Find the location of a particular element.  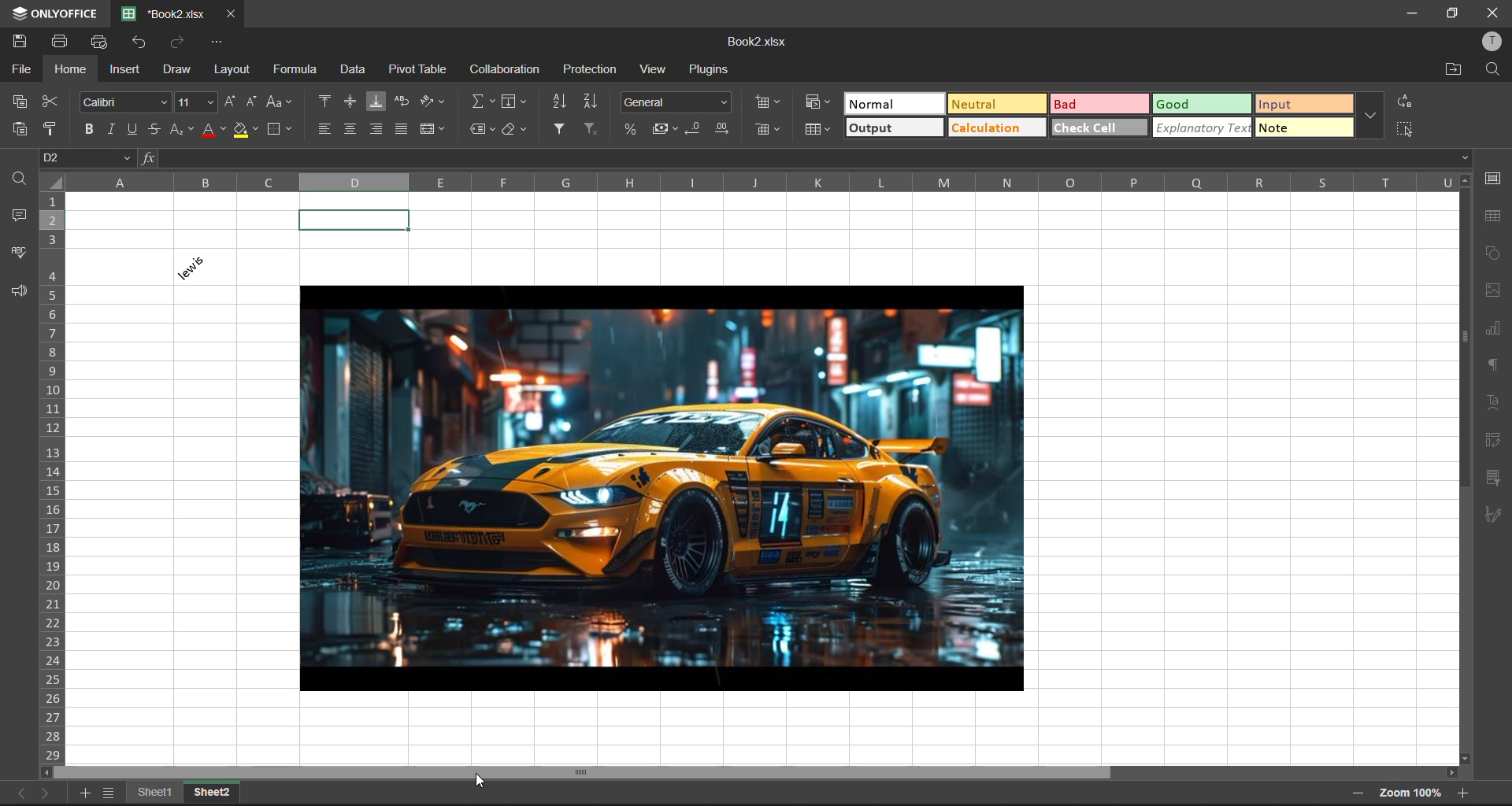

paragraph is located at coordinates (1493, 365).